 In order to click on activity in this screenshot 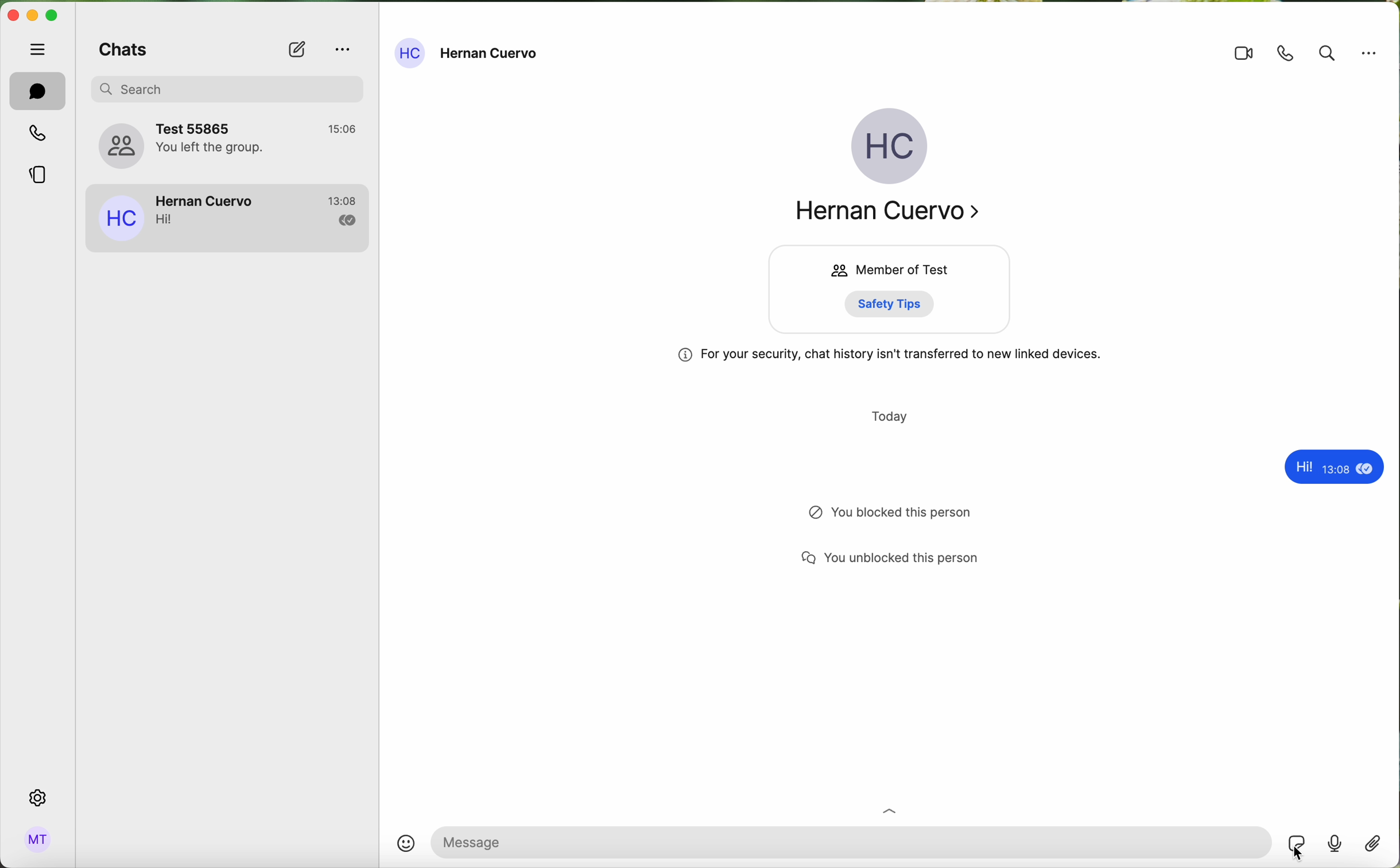, I will do `click(899, 515)`.